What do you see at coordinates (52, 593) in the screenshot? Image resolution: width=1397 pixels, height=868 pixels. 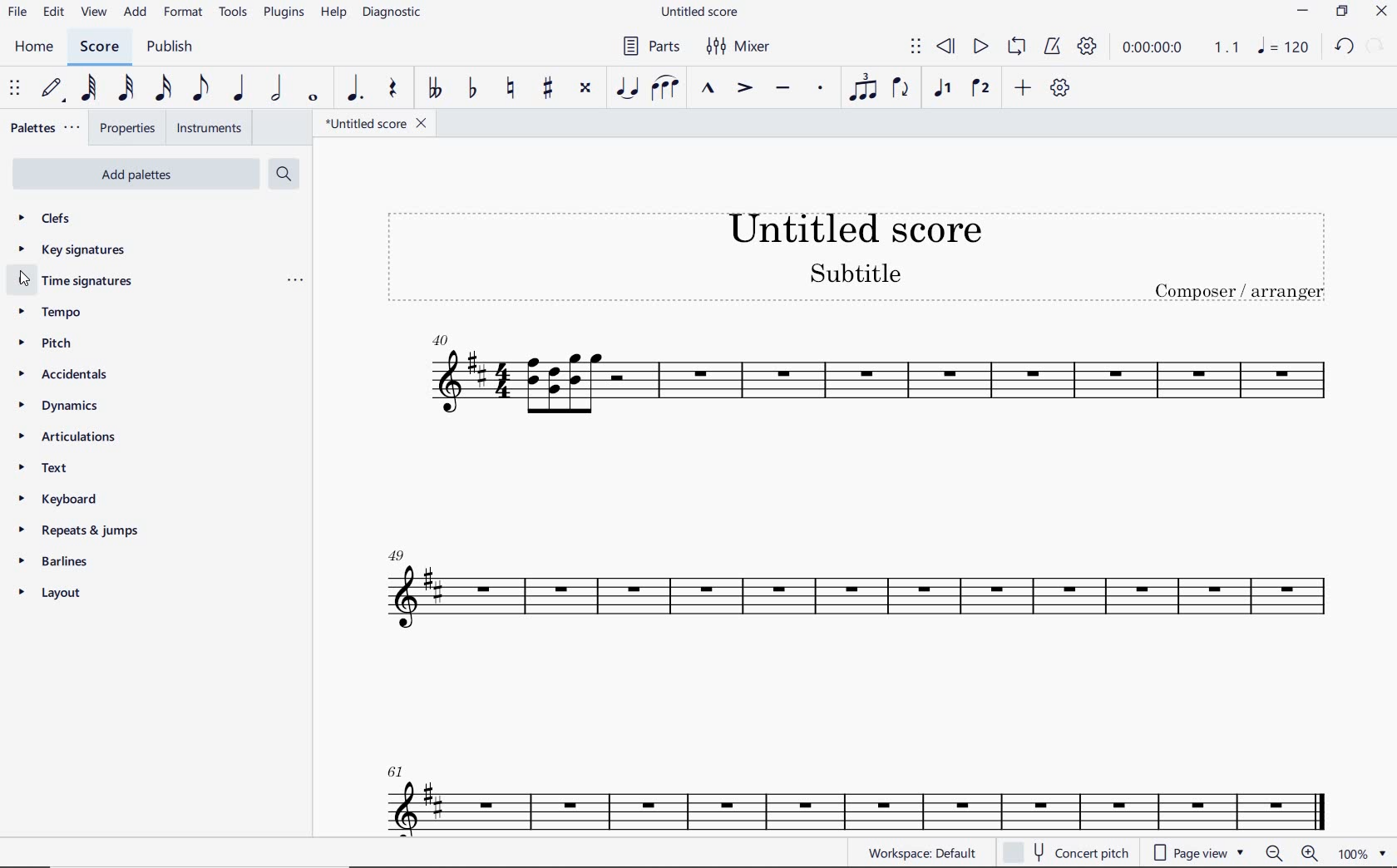 I see `LAYOUT` at bounding box center [52, 593].